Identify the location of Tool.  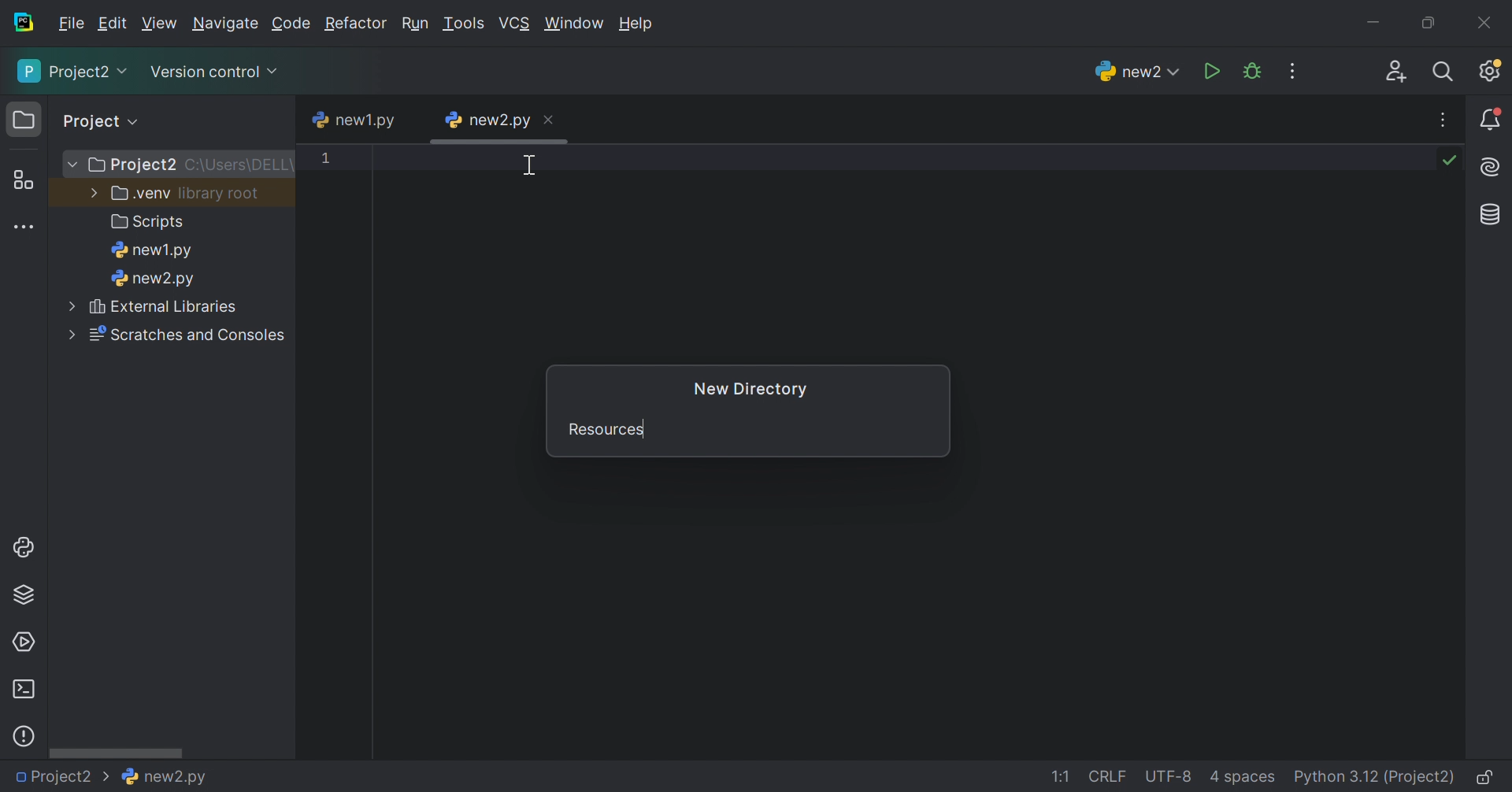
(464, 25).